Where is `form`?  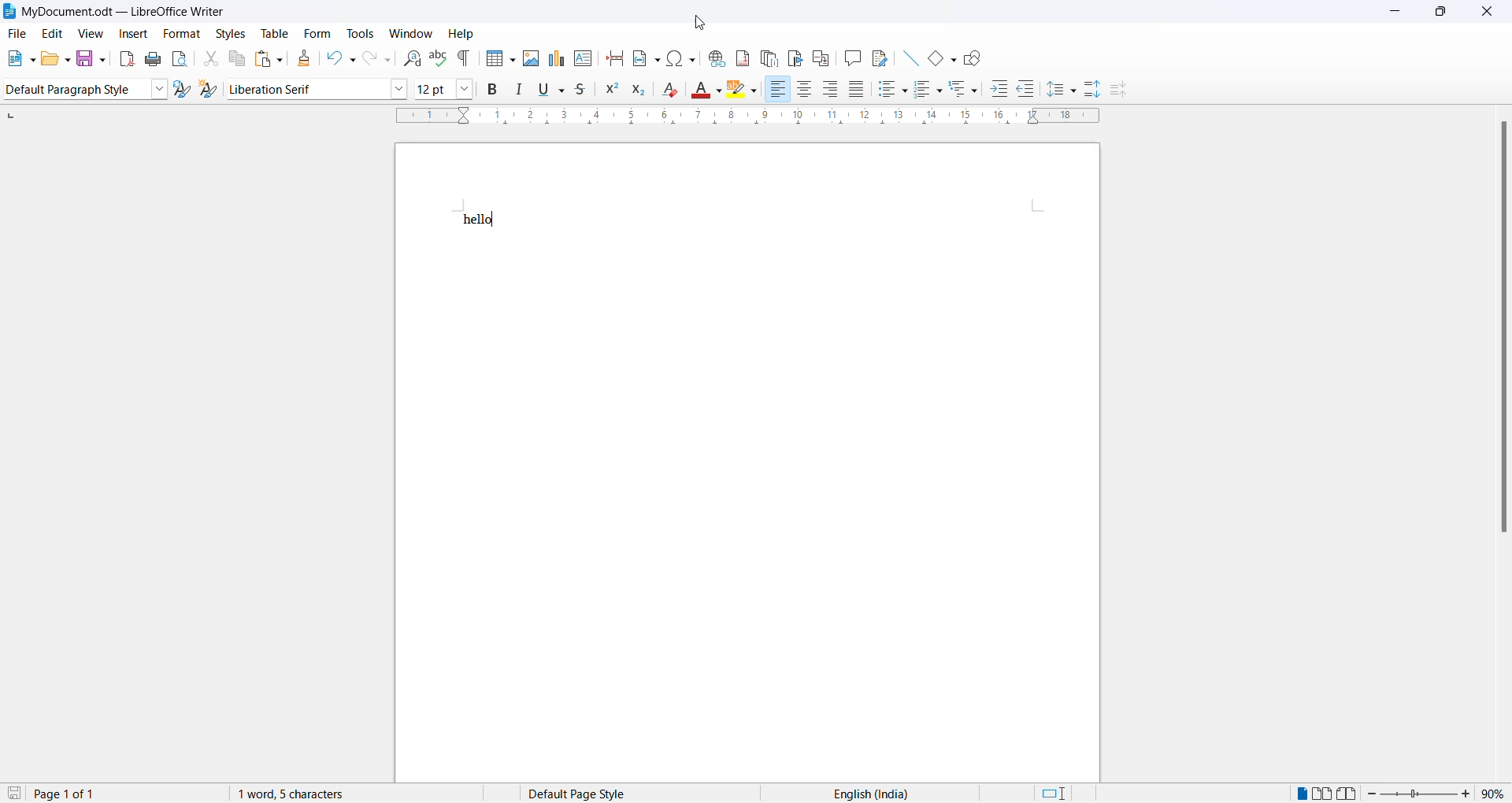
form is located at coordinates (316, 32).